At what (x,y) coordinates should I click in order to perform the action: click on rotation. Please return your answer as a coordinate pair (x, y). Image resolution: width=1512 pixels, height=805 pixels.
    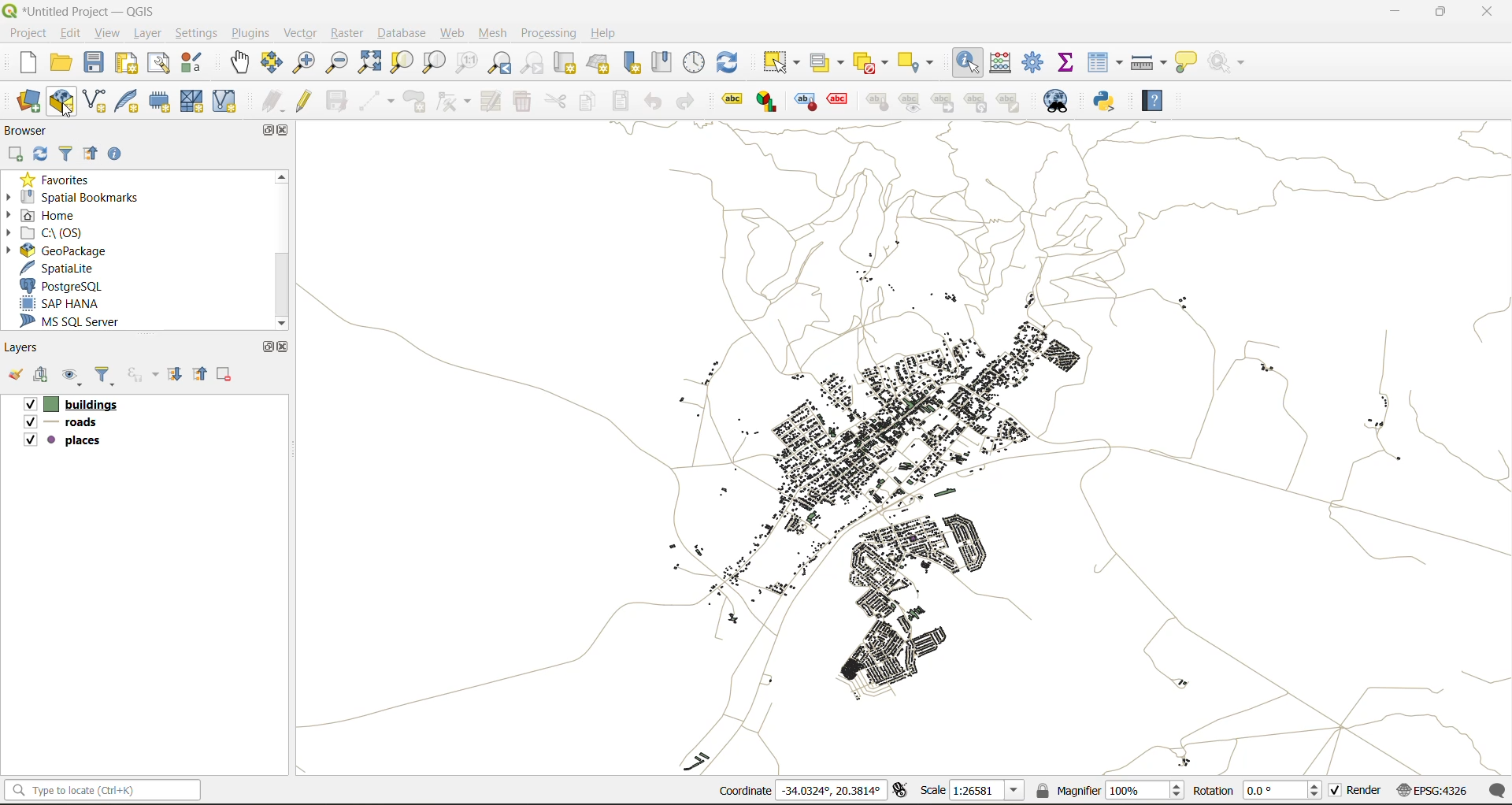
    Looking at the image, I should click on (1258, 792).